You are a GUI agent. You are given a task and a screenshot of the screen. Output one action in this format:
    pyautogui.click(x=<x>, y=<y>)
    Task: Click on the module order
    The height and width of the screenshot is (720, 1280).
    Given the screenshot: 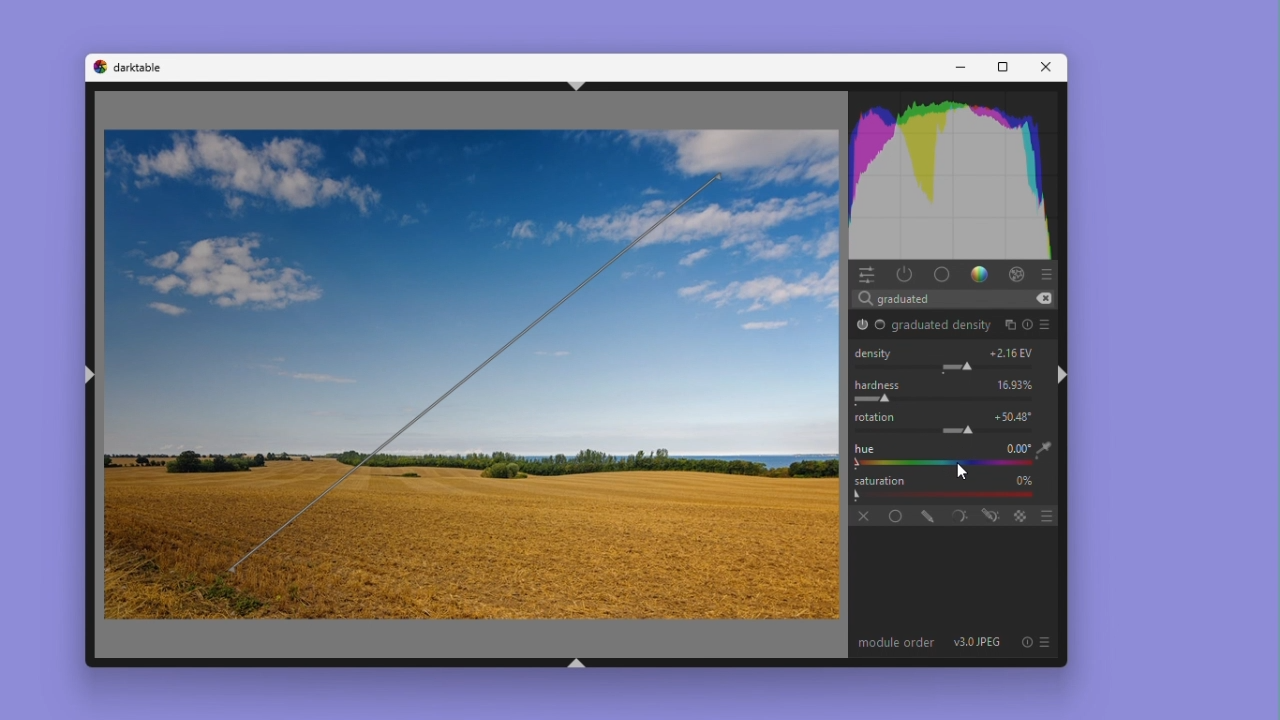 What is the action you would take?
    pyautogui.click(x=896, y=643)
    